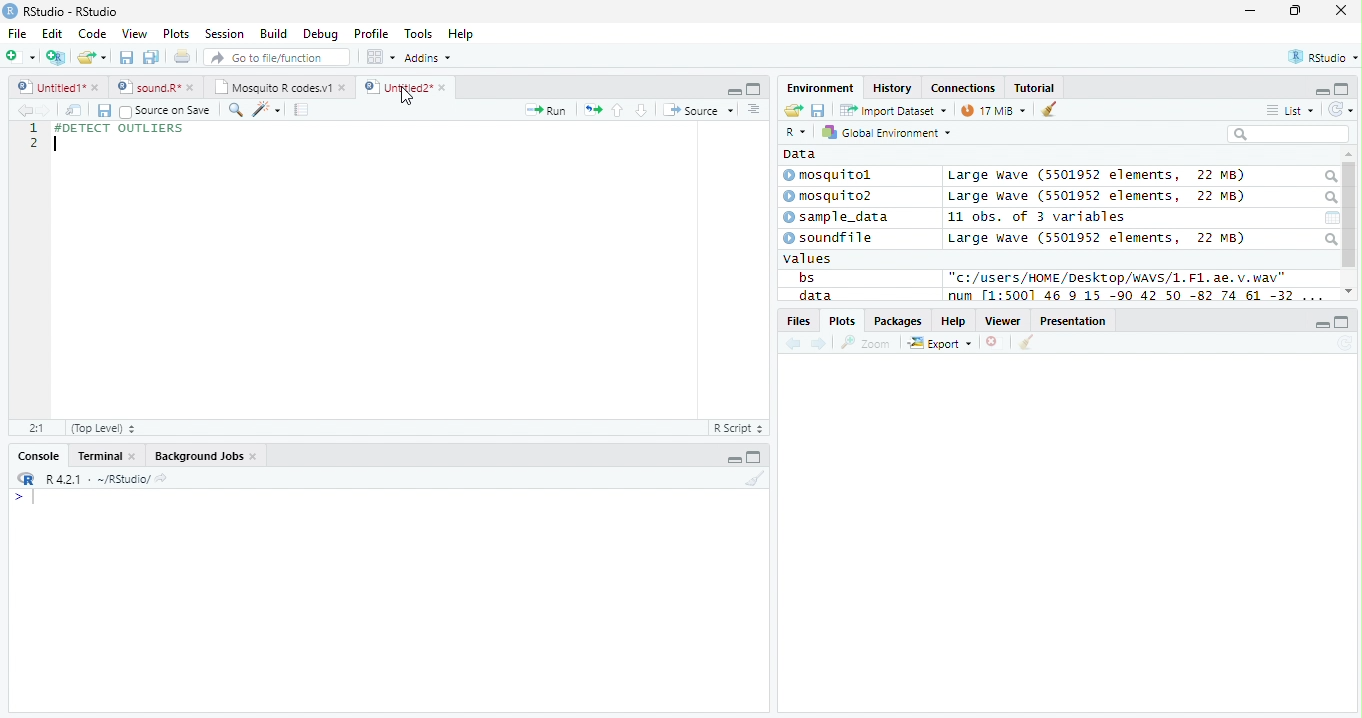 The height and width of the screenshot is (718, 1362). I want to click on Profile, so click(371, 33).